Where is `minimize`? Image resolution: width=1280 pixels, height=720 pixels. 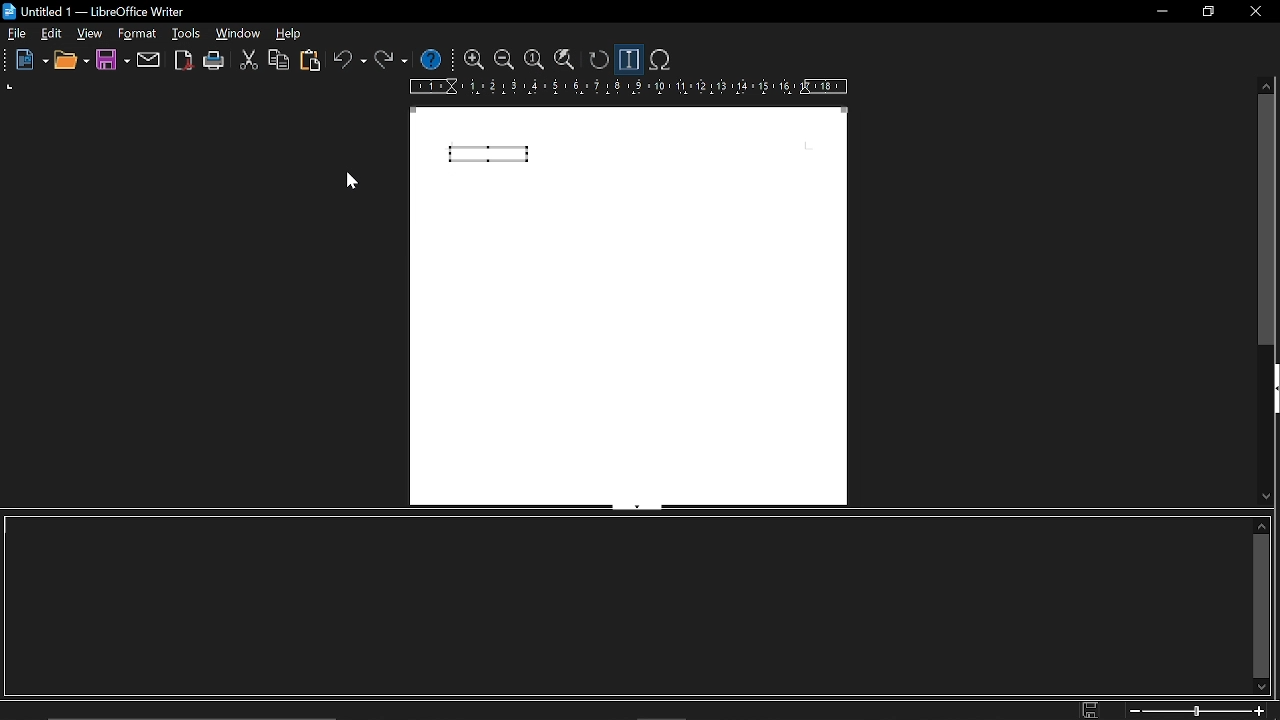
minimize is located at coordinates (1164, 12).